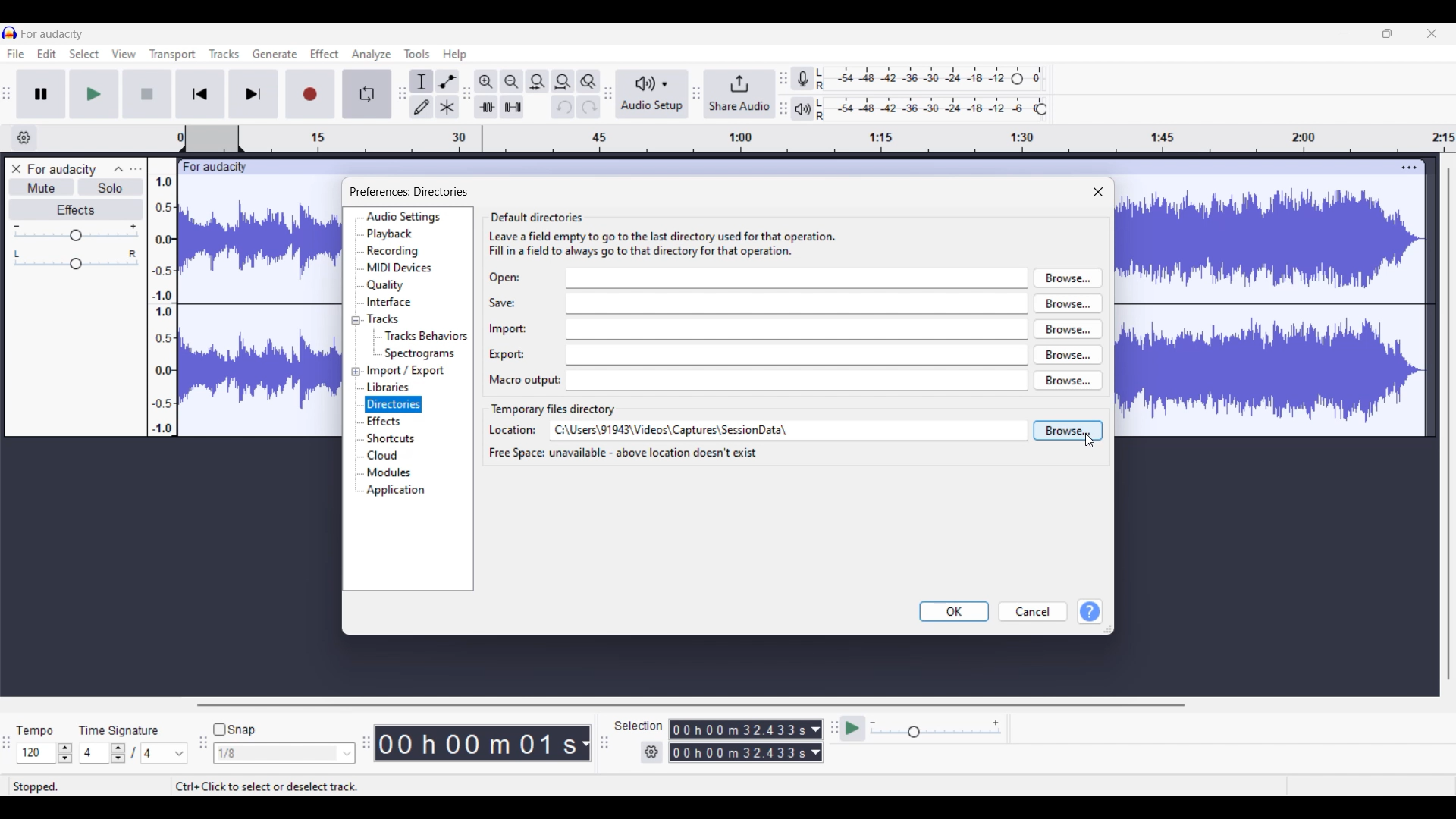  What do you see at coordinates (391, 438) in the screenshot?
I see `Shortcuts` at bounding box center [391, 438].